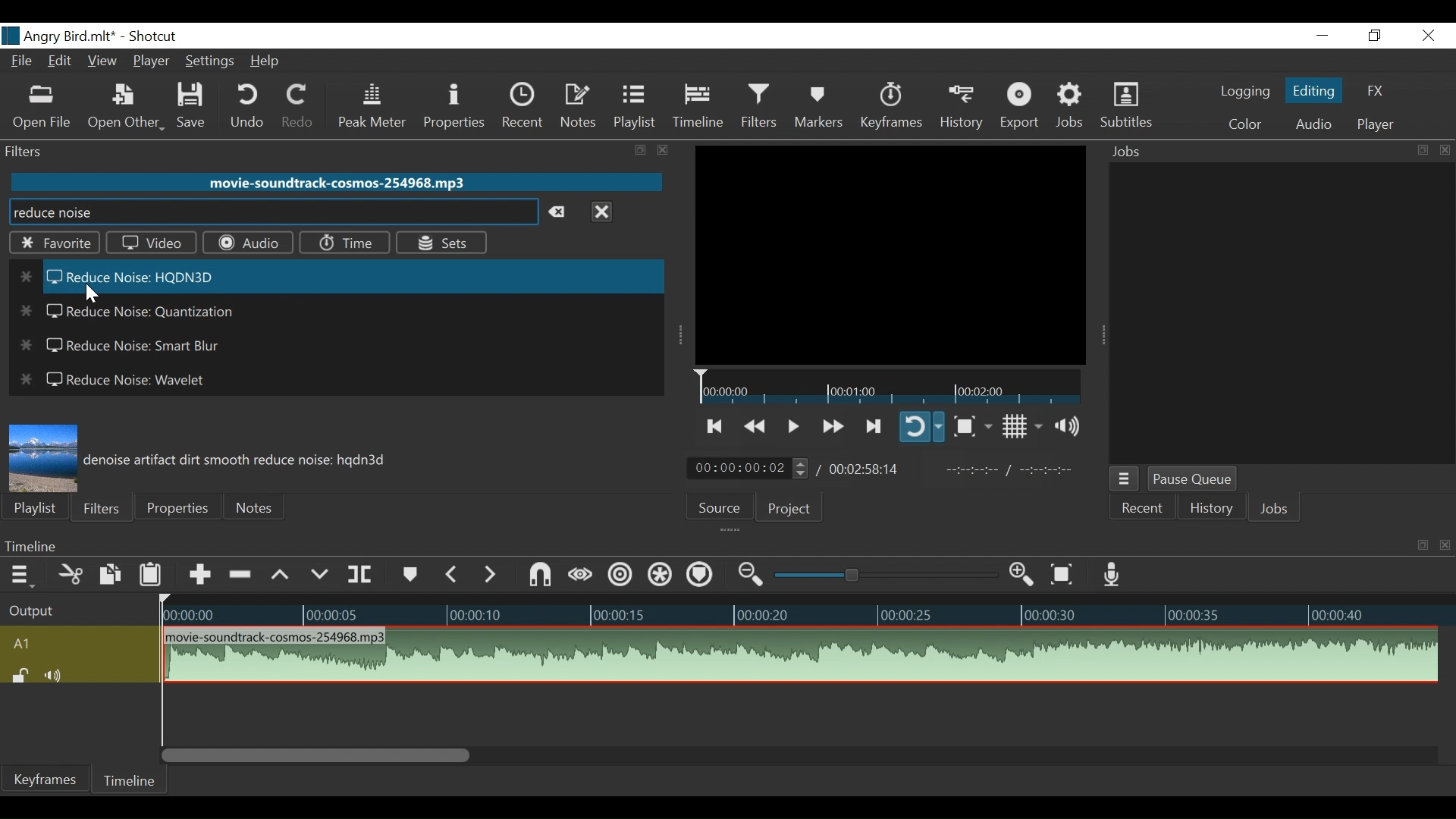  Describe the element at coordinates (151, 243) in the screenshot. I see `Video` at that location.